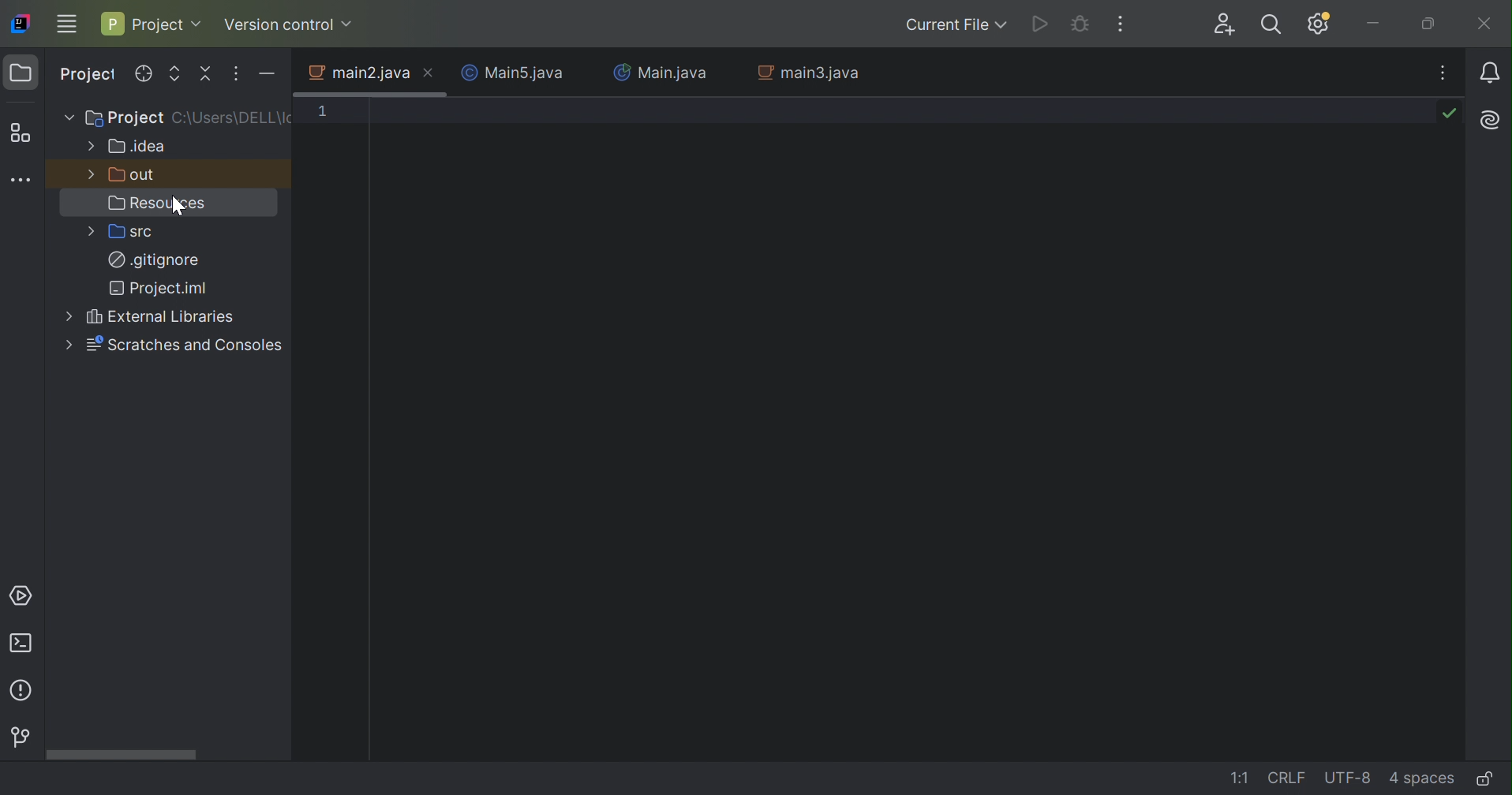  What do you see at coordinates (143, 74) in the screenshot?
I see `Select opened file` at bounding box center [143, 74].